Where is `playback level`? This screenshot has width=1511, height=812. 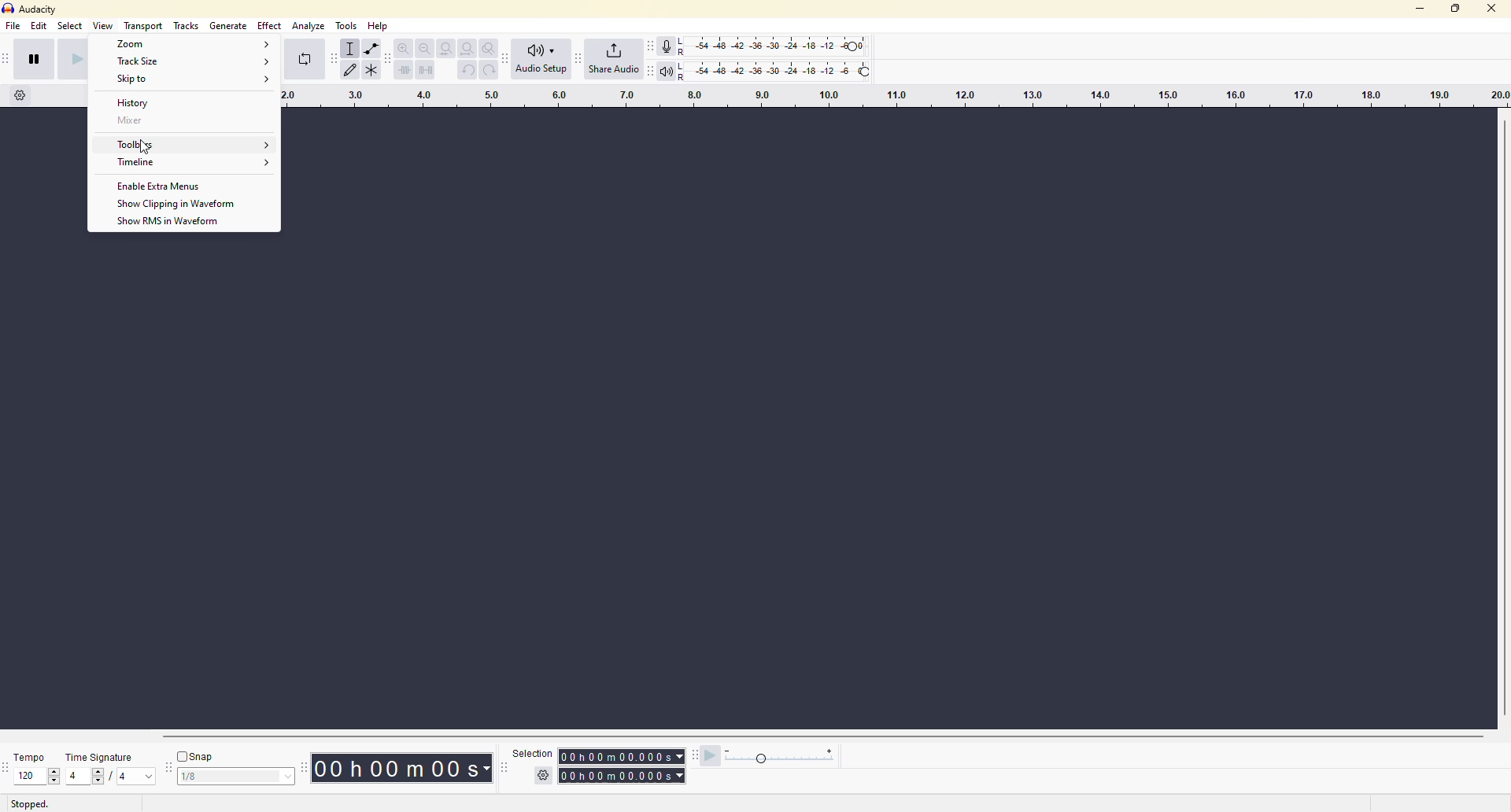 playback level is located at coordinates (776, 71).